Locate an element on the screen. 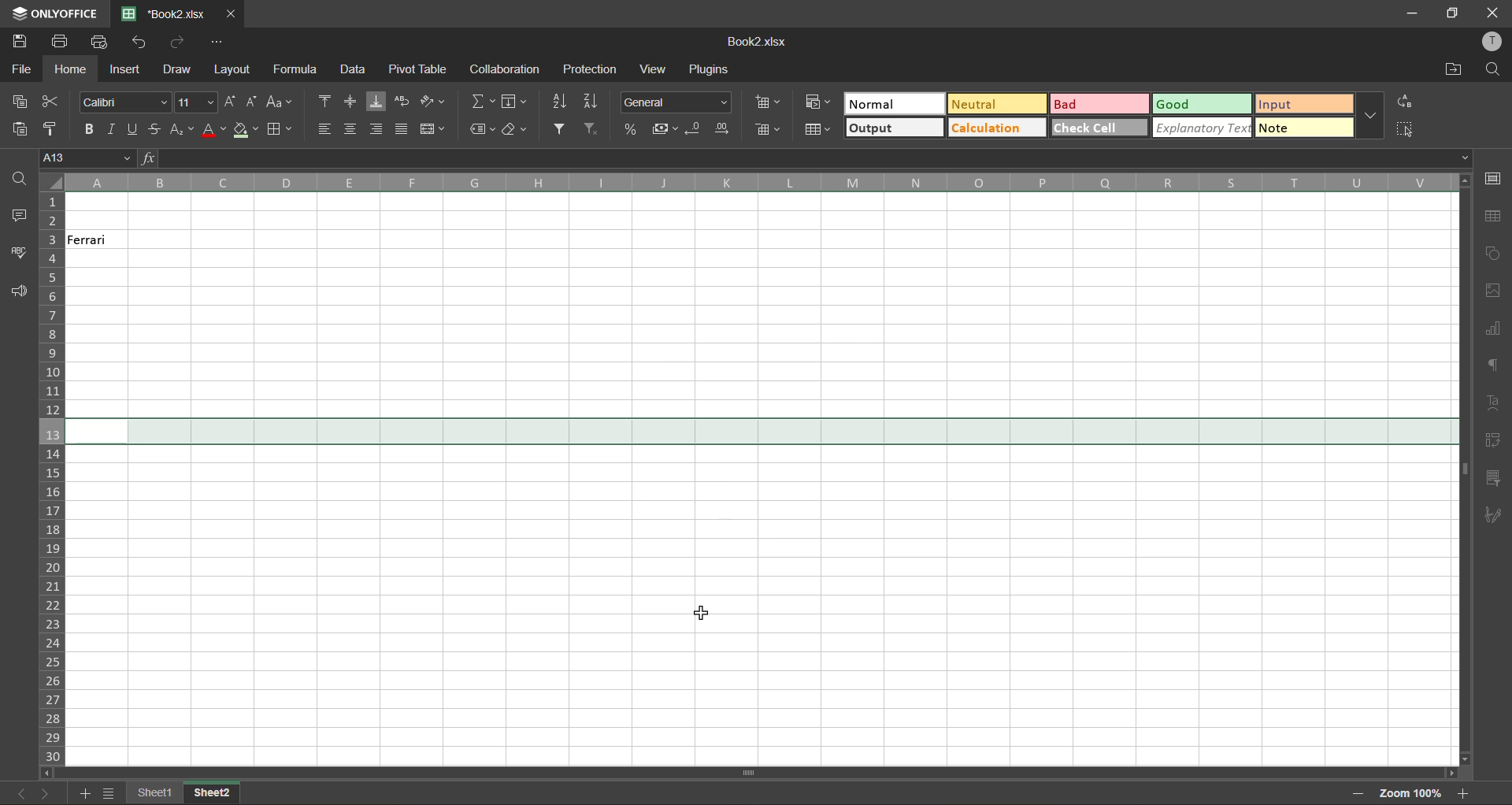 Image resolution: width=1512 pixels, height=805 pixels. increase decimal is located at coordinates (725, 128).